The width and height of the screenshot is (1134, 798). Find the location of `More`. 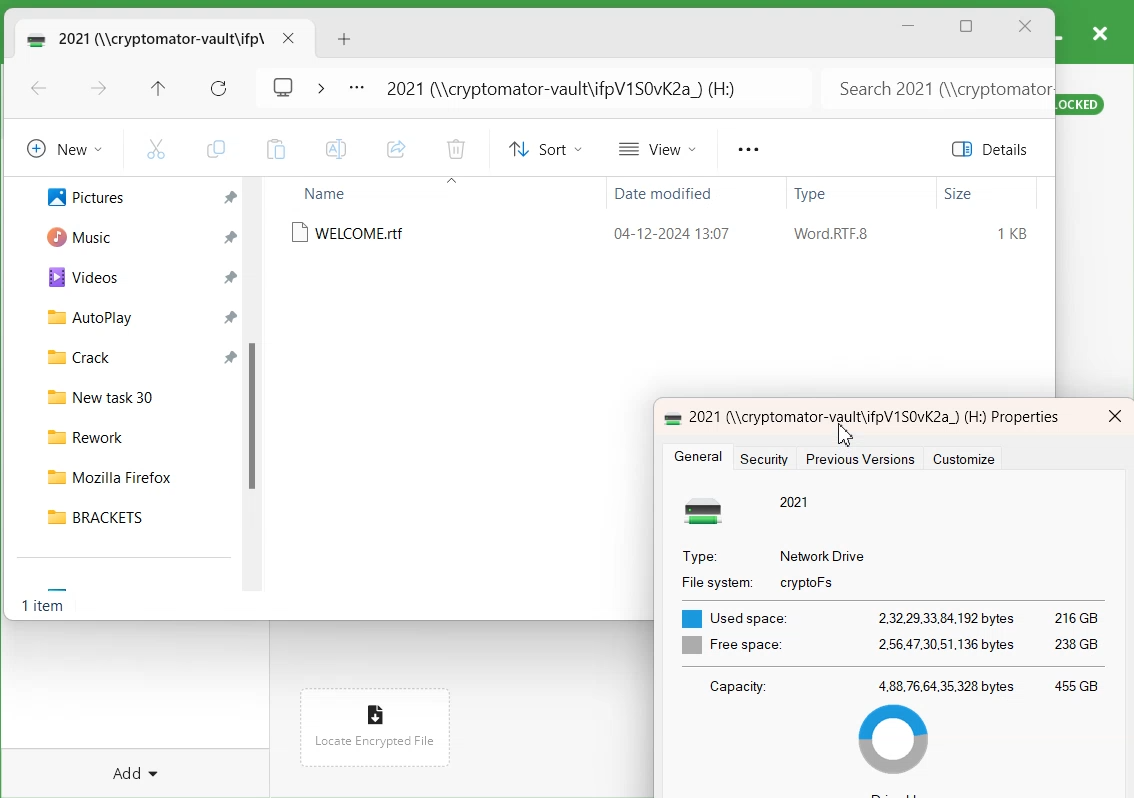

More is located at coordinates (747, 150).